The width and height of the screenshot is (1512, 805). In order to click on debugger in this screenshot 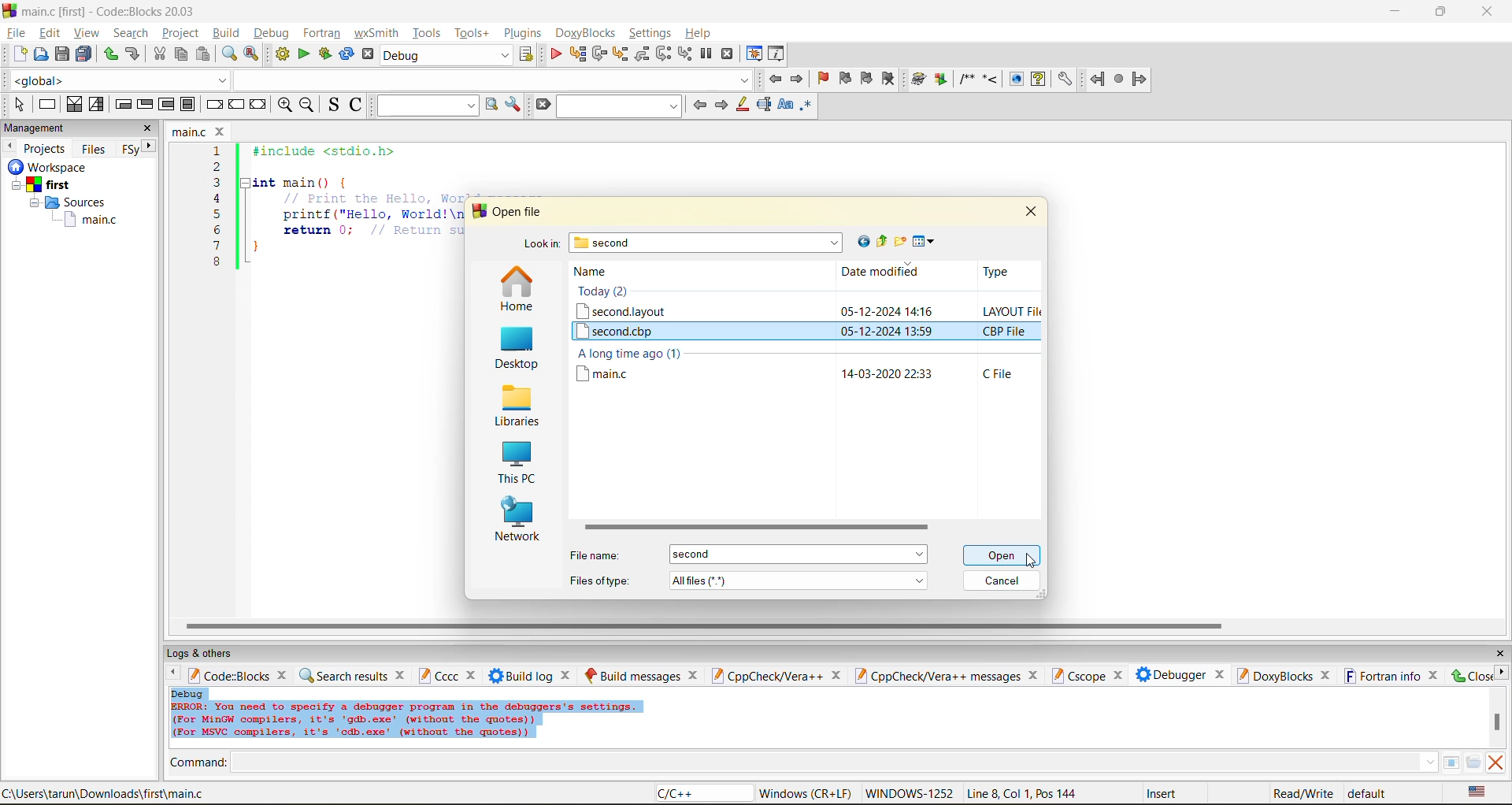, I will do `click(1170, 674)`.